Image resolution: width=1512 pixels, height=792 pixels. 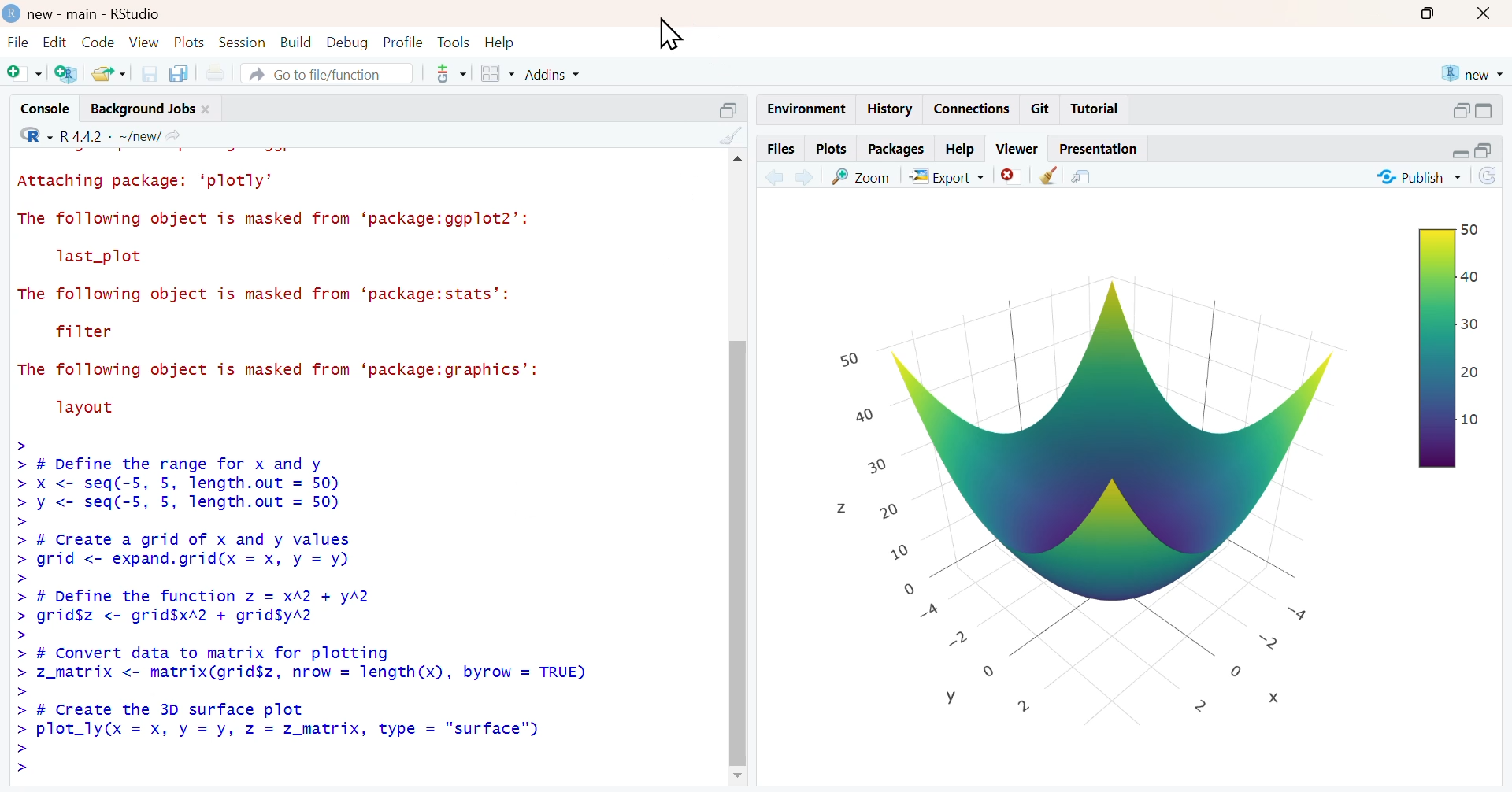 I want to click on prompt cursor, so click(x=18, y=694).